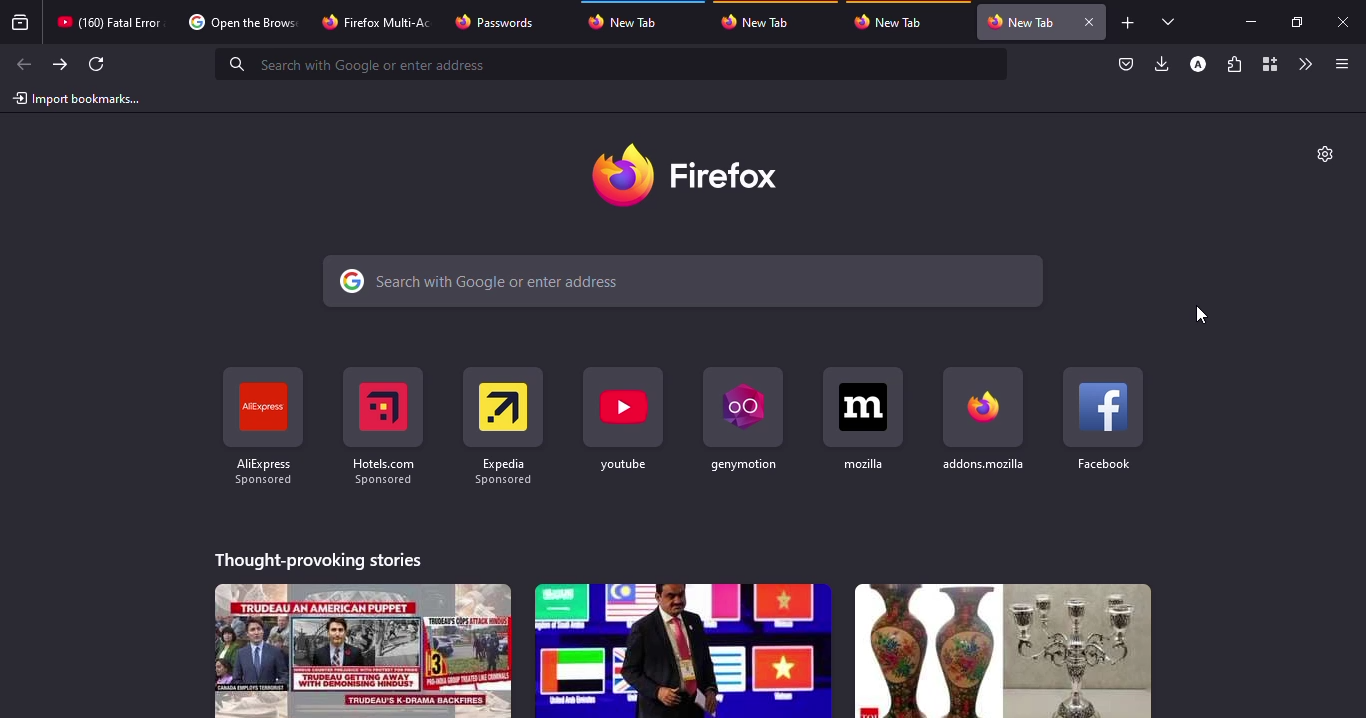 The width and height of the screenshot is (1366, 718). I want to click on tab, so click(761, 22).